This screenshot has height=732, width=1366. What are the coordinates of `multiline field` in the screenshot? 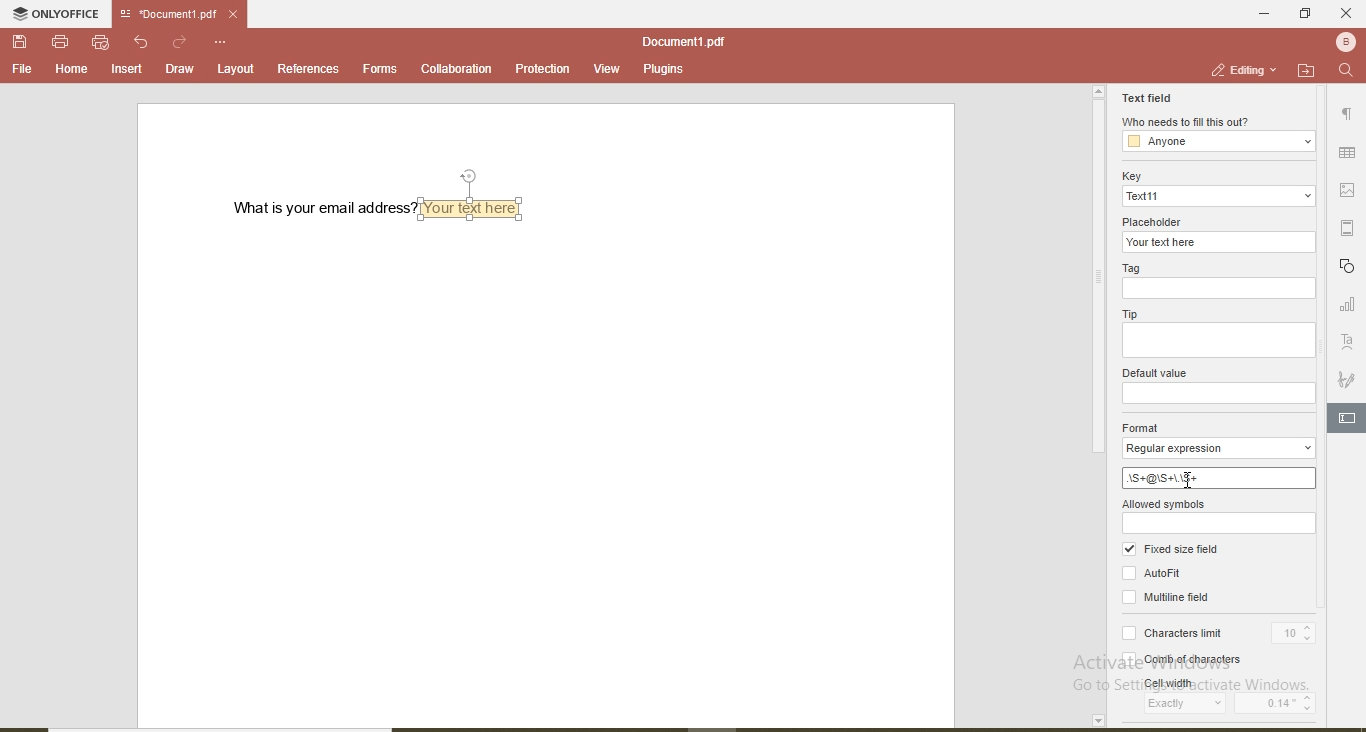 It's located at (1171, 599).